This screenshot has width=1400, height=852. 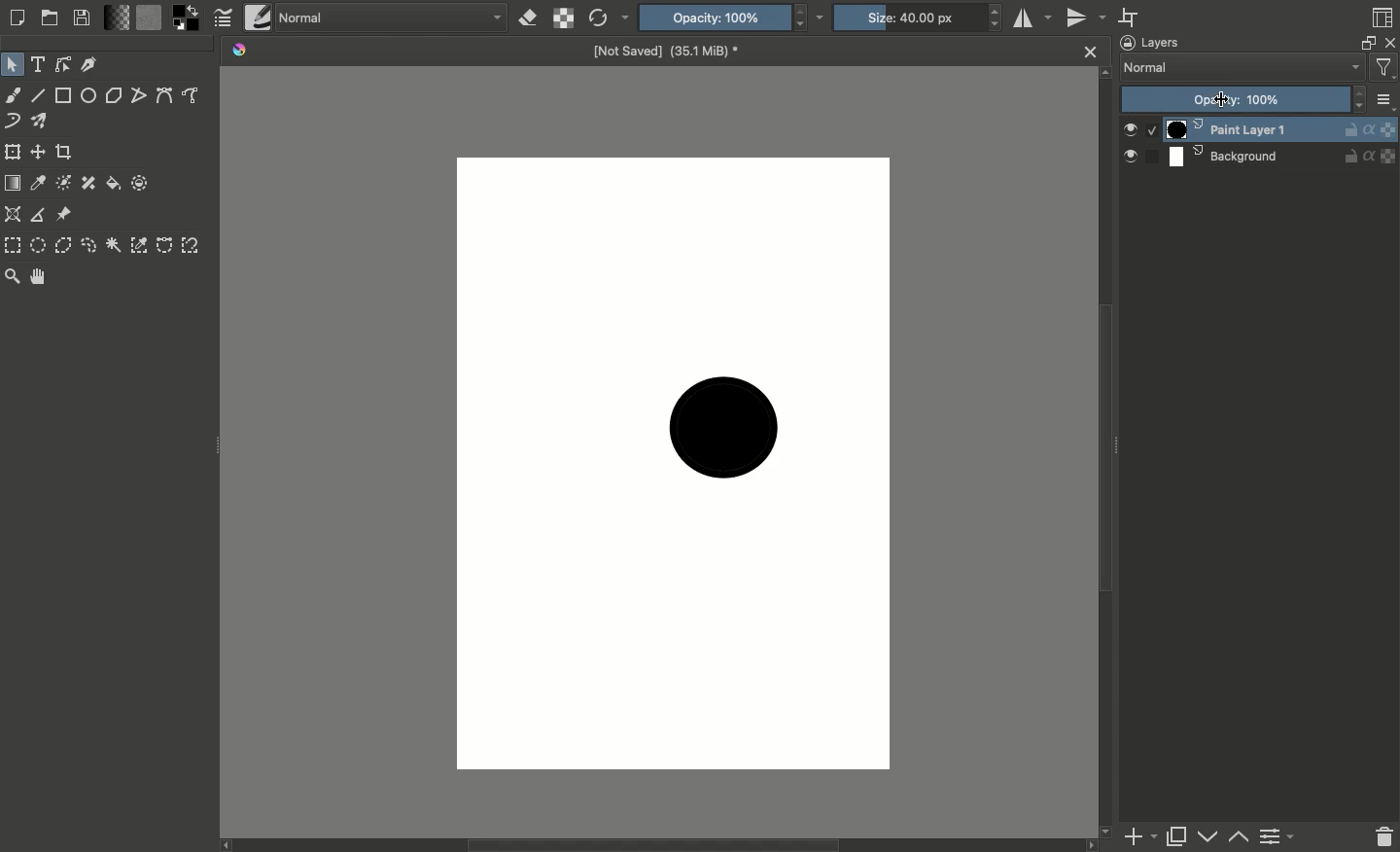 I want to click on Lower layer, so click(x=1208, y=838).